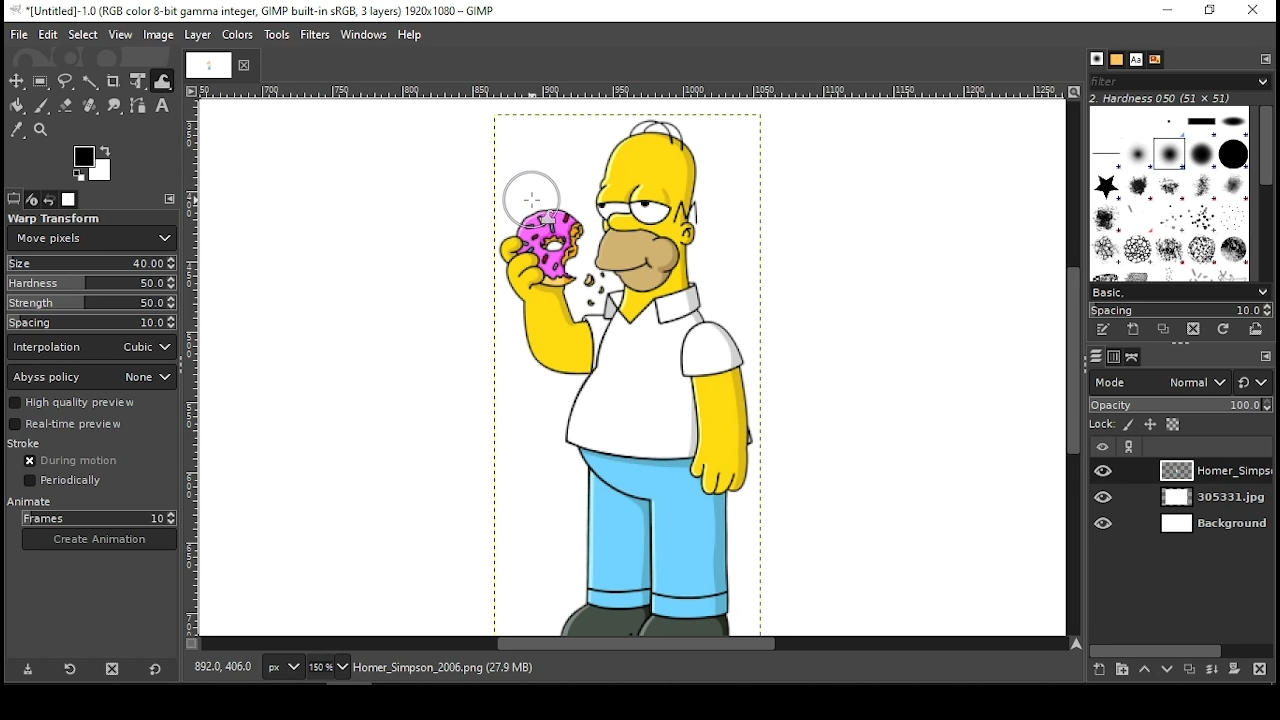  What do you see at coordinates (170, 199) in the screenshot?
I see `edit toolbar` at bounding box center [170, 199].